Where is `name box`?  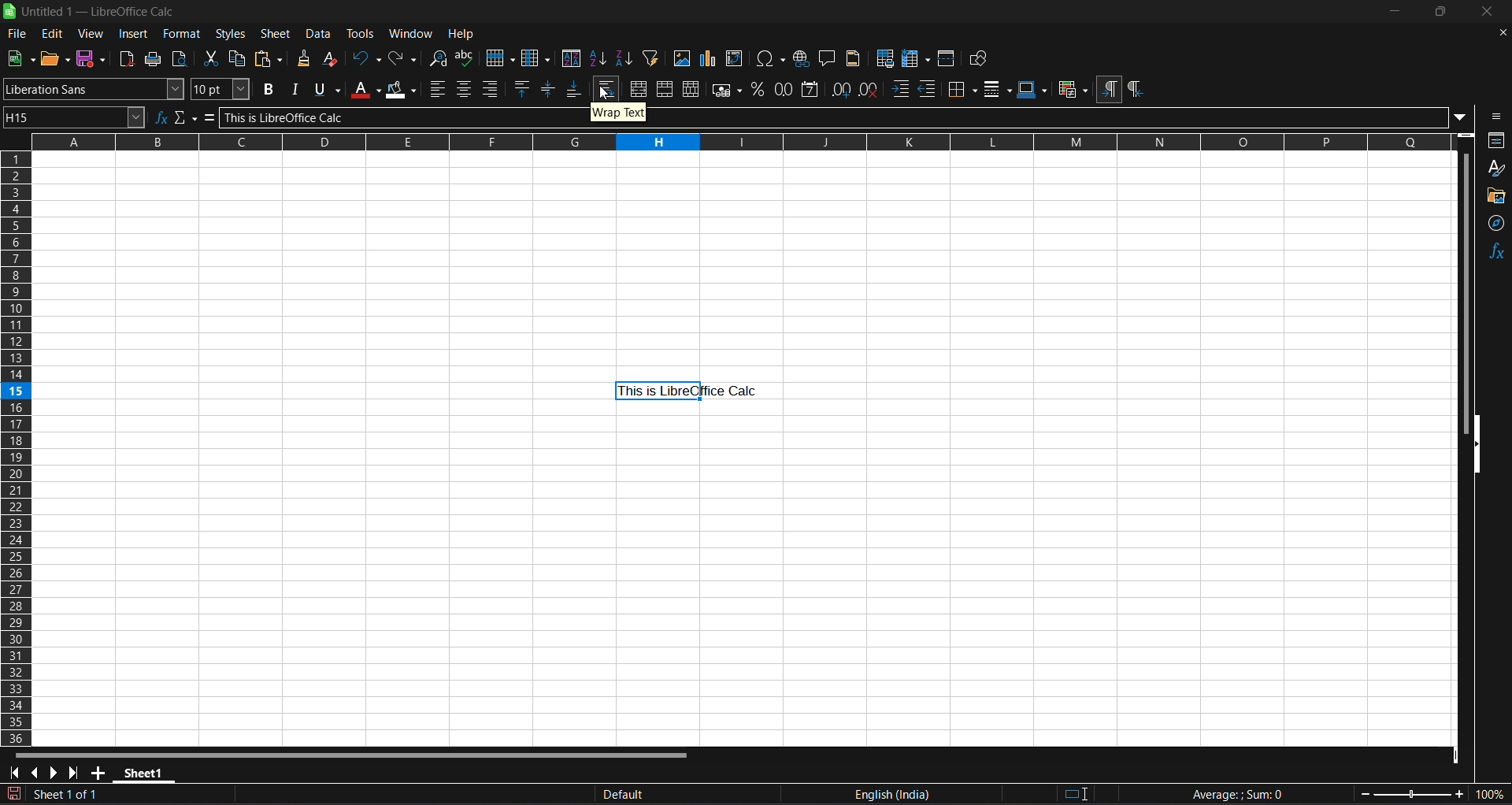
name box is located at coordinates (75, 117).